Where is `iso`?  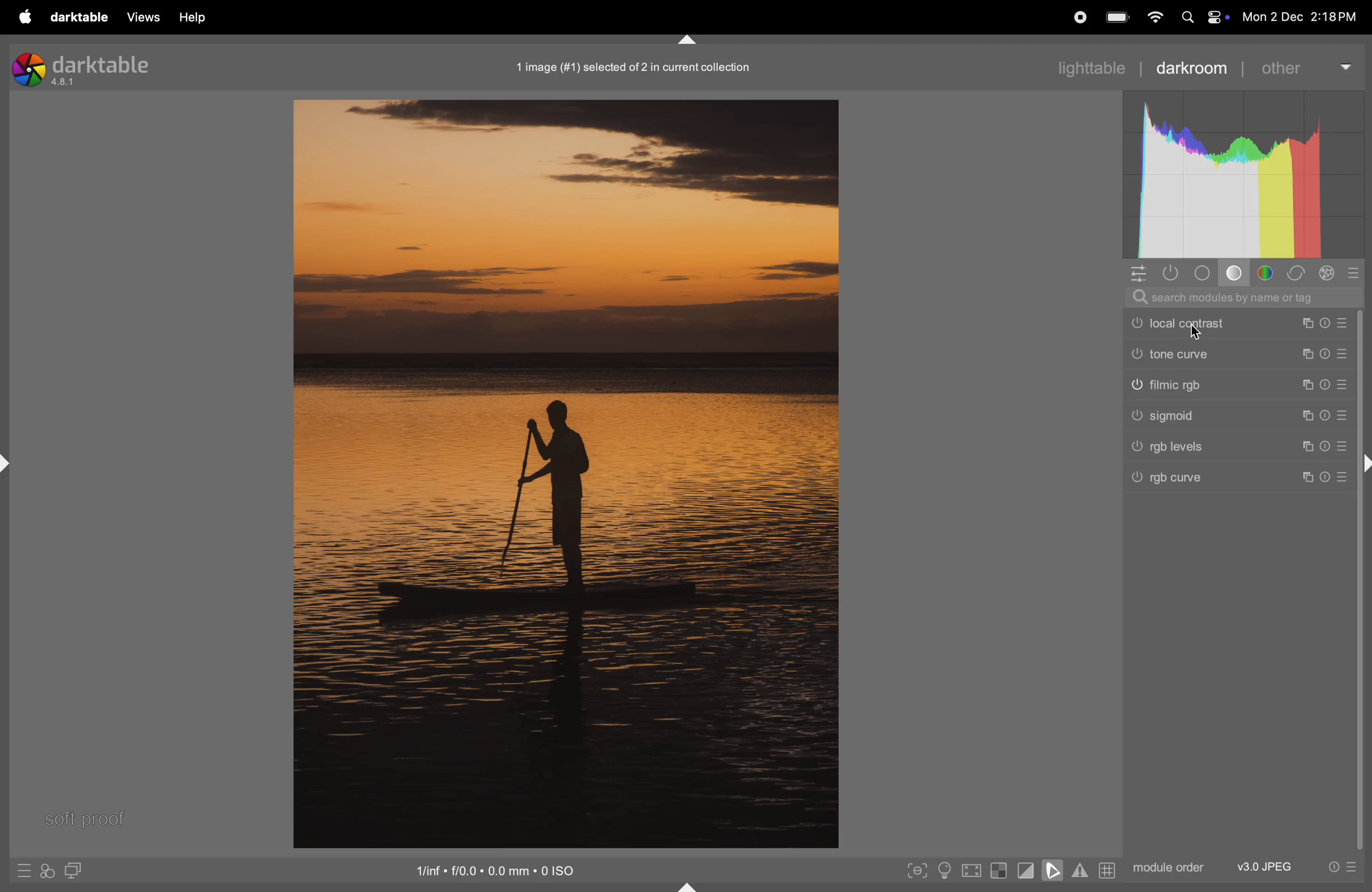 iso is located at coordinates (490, 869).